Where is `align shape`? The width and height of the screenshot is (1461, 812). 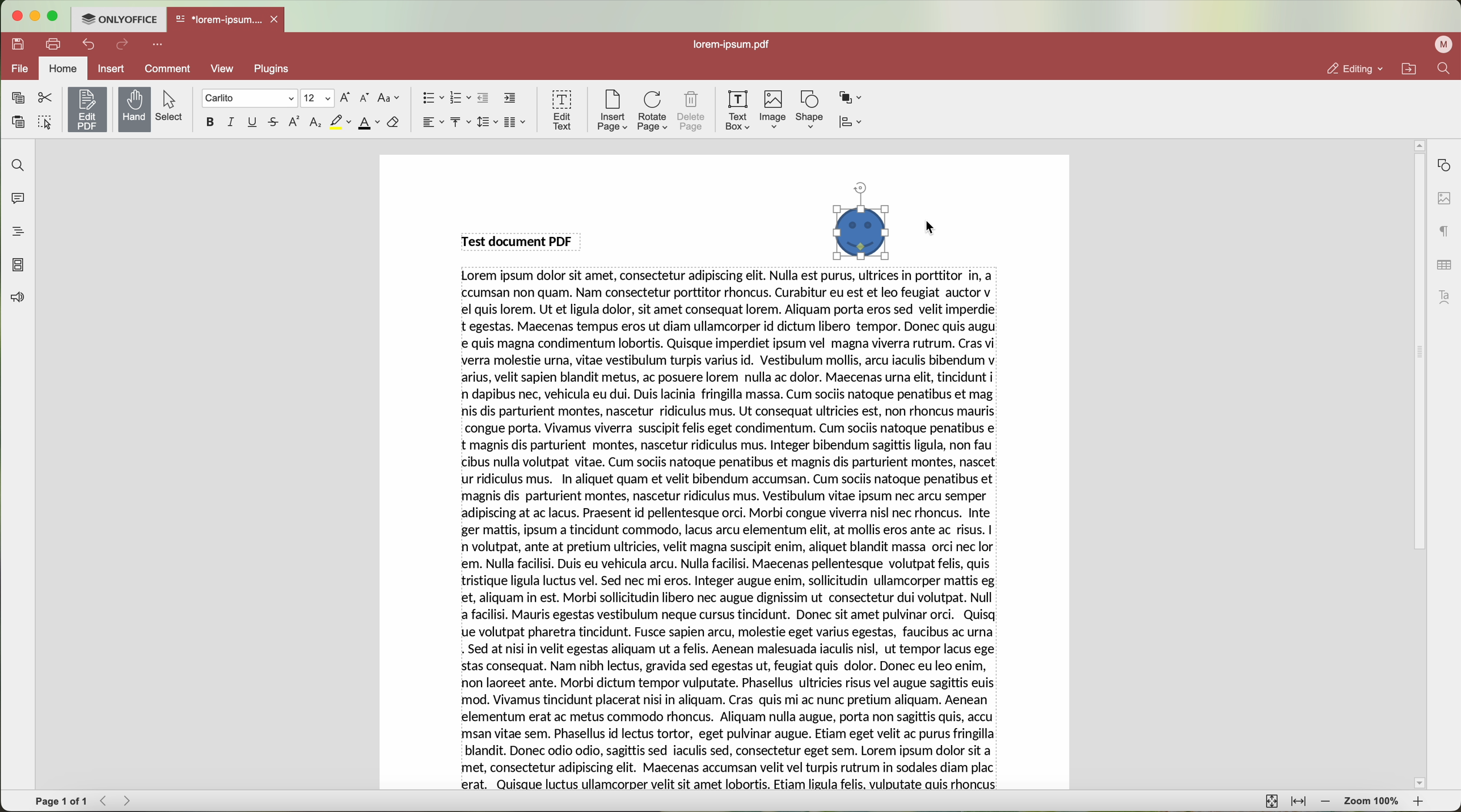 align shape is located at coordinates (856, 123).